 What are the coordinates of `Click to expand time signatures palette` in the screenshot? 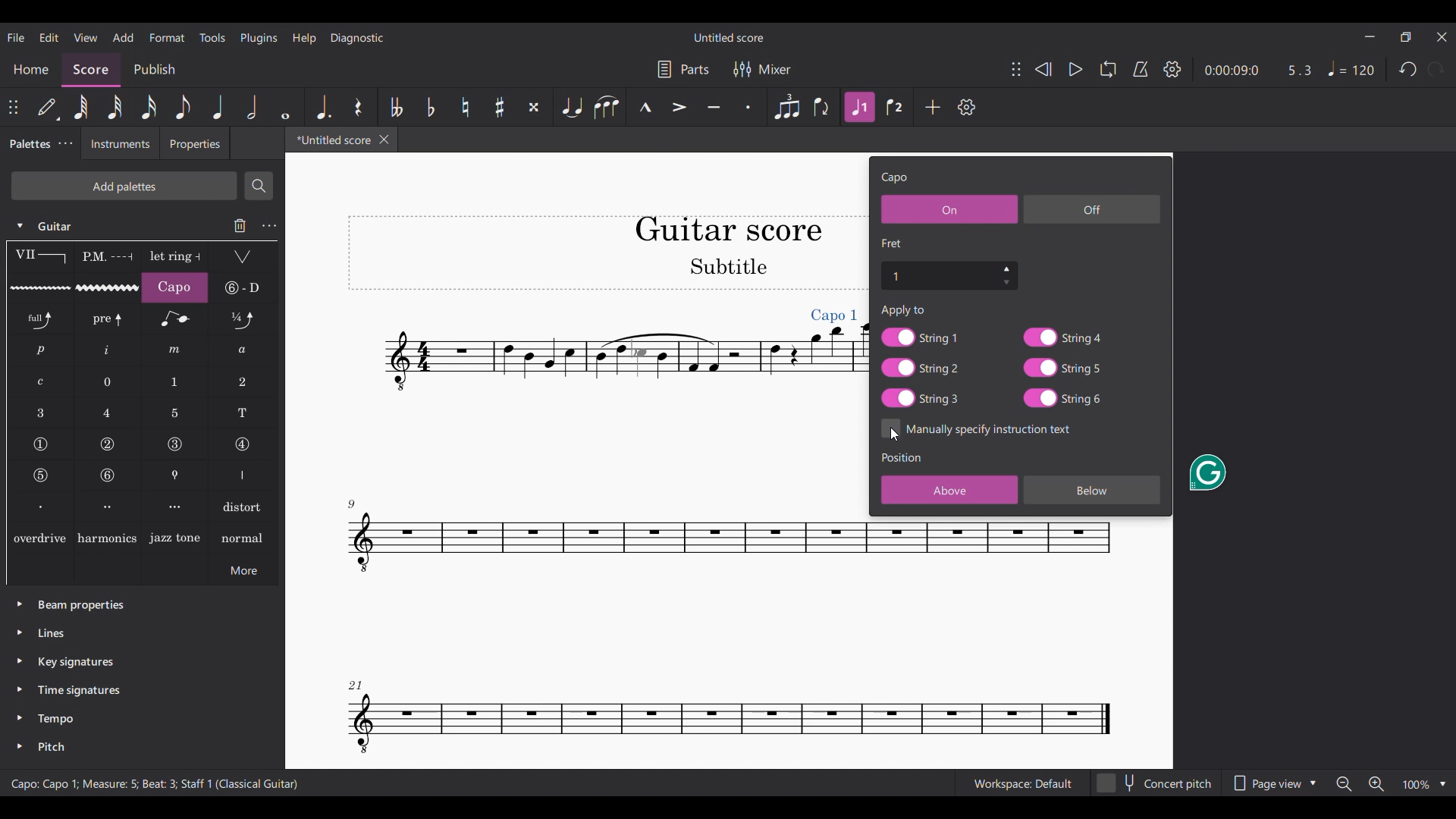 It's located at (19, 689).